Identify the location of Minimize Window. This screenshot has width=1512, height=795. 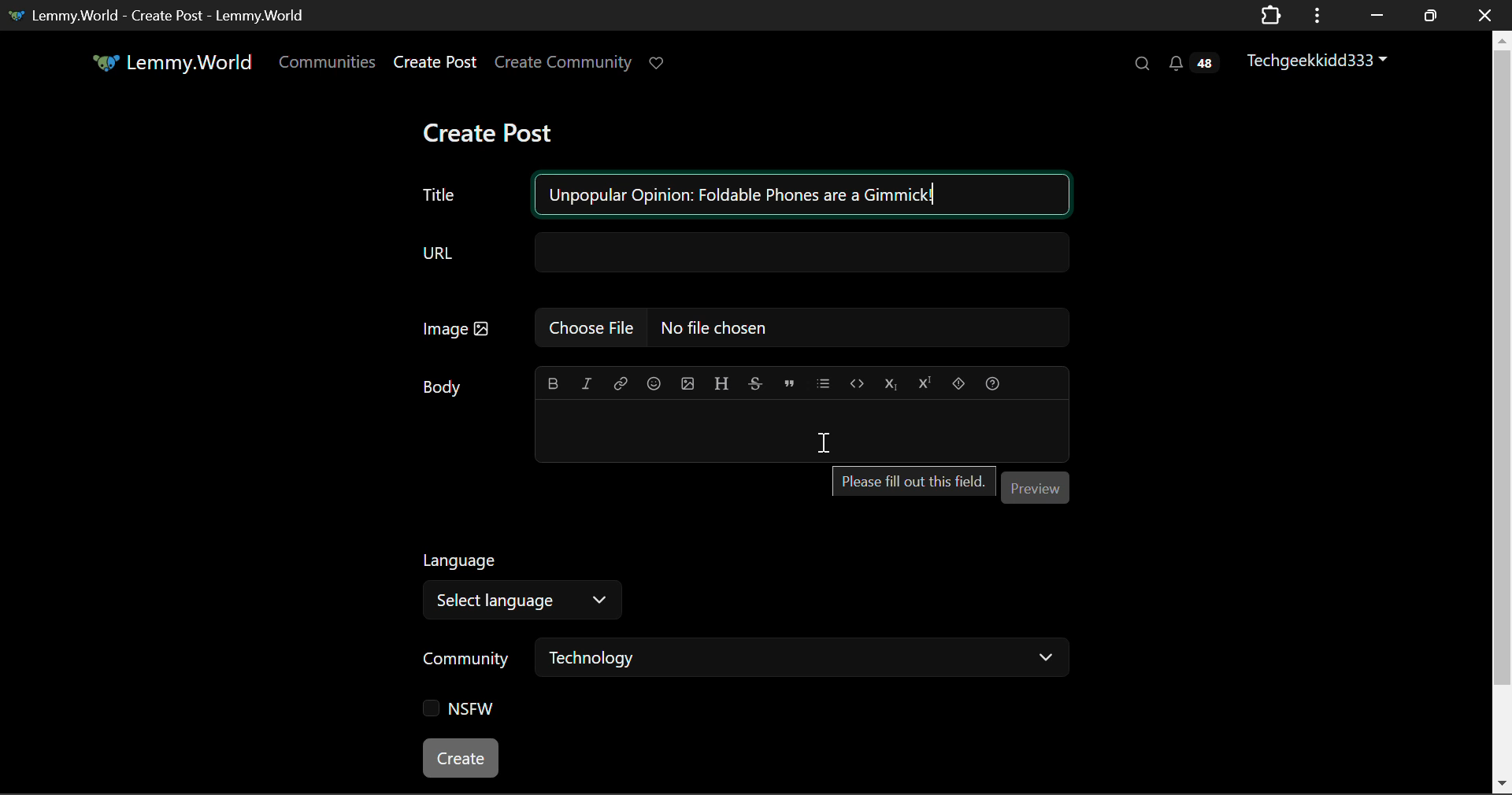
(1432, 15).